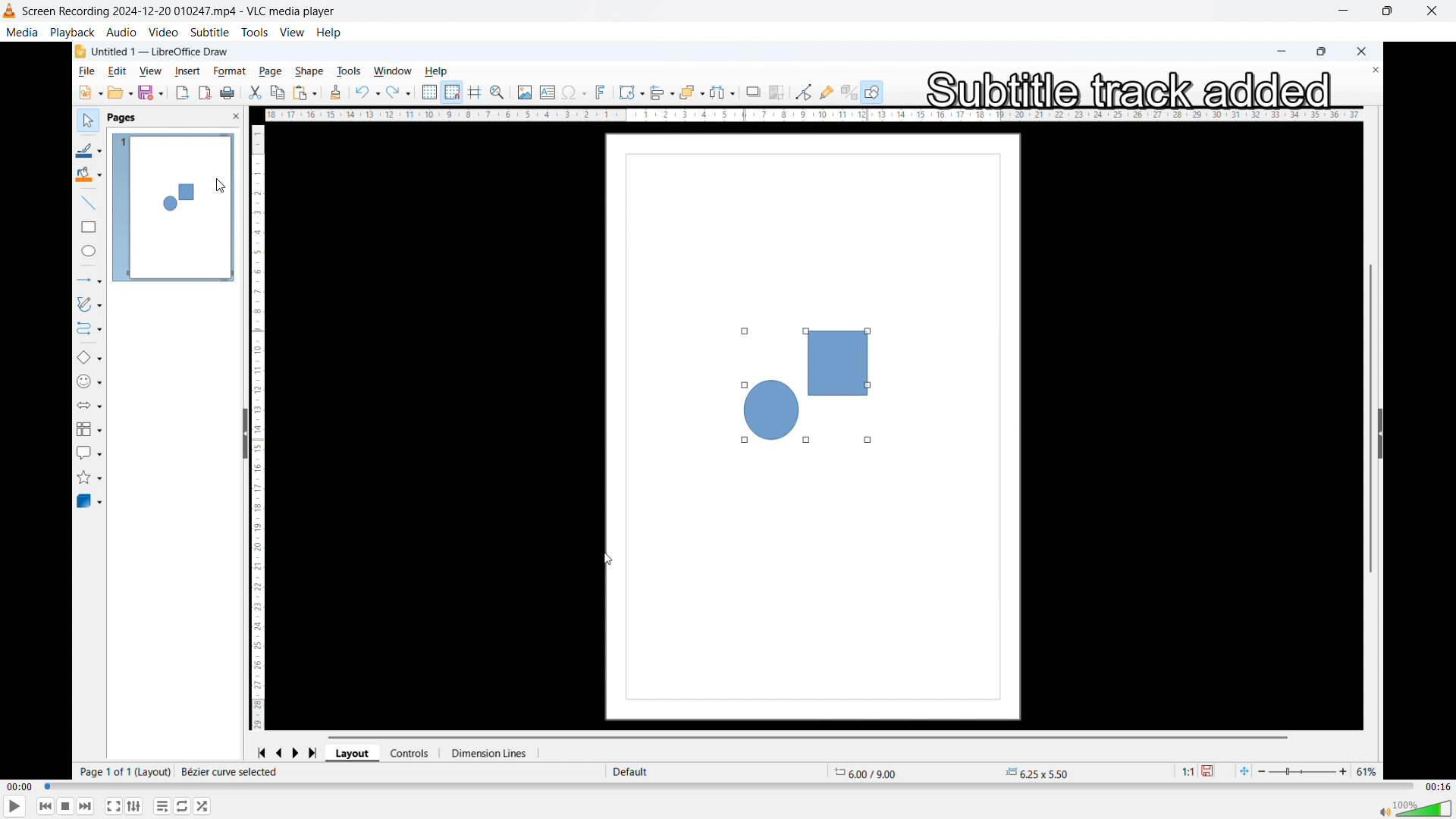  Describe the element at coordinates (312, 68) in the screenshot. I see `shape` at that location.